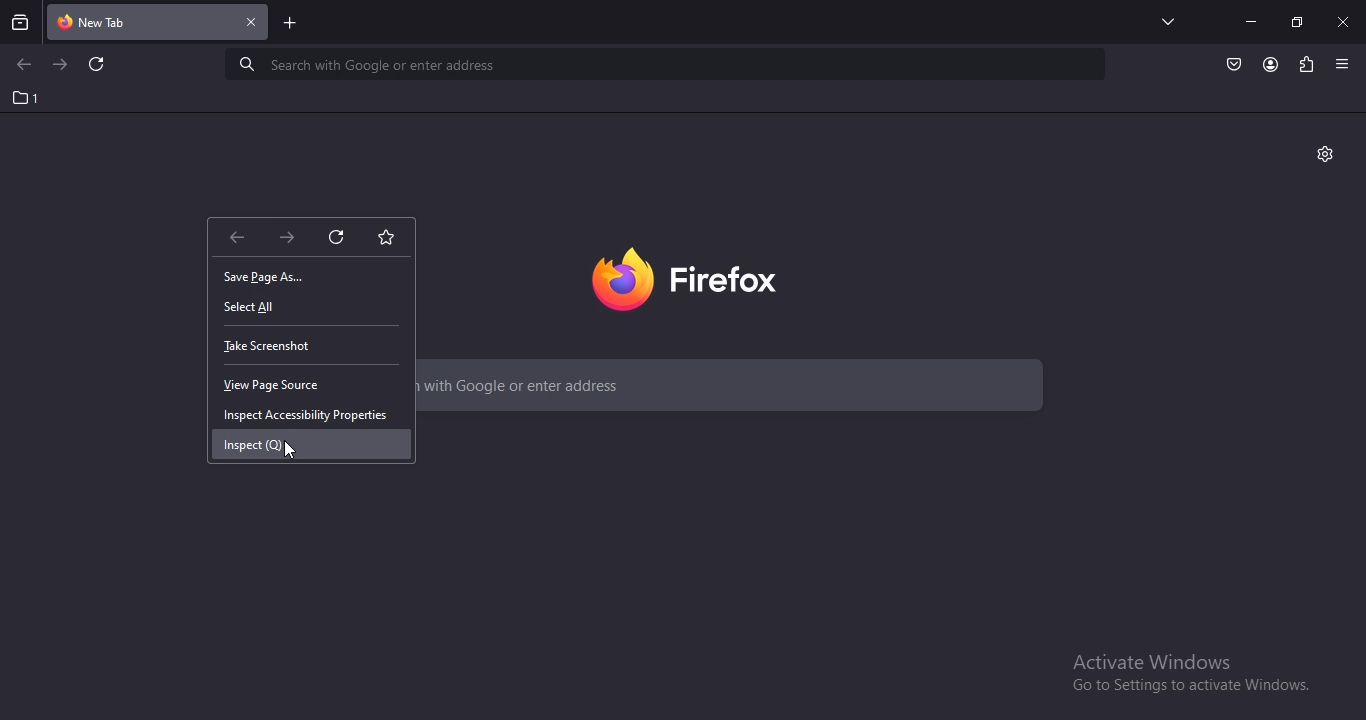  What do you see at coordinates (23, 65) in the screenshot?
I see `click to go to previous page` at bounding box center [23, 65].